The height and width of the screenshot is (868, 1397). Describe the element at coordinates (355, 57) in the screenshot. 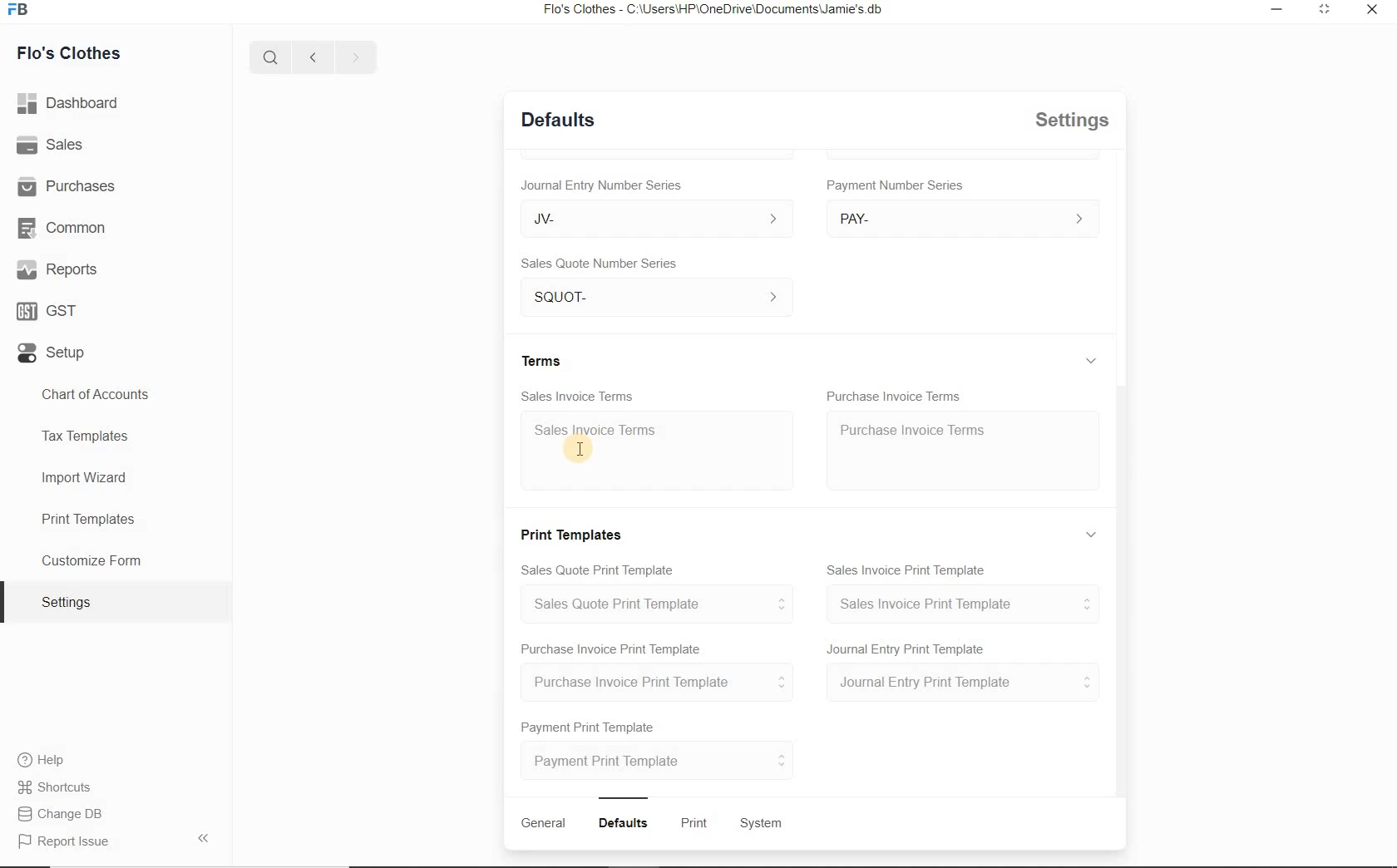

I see `Next` at that location.